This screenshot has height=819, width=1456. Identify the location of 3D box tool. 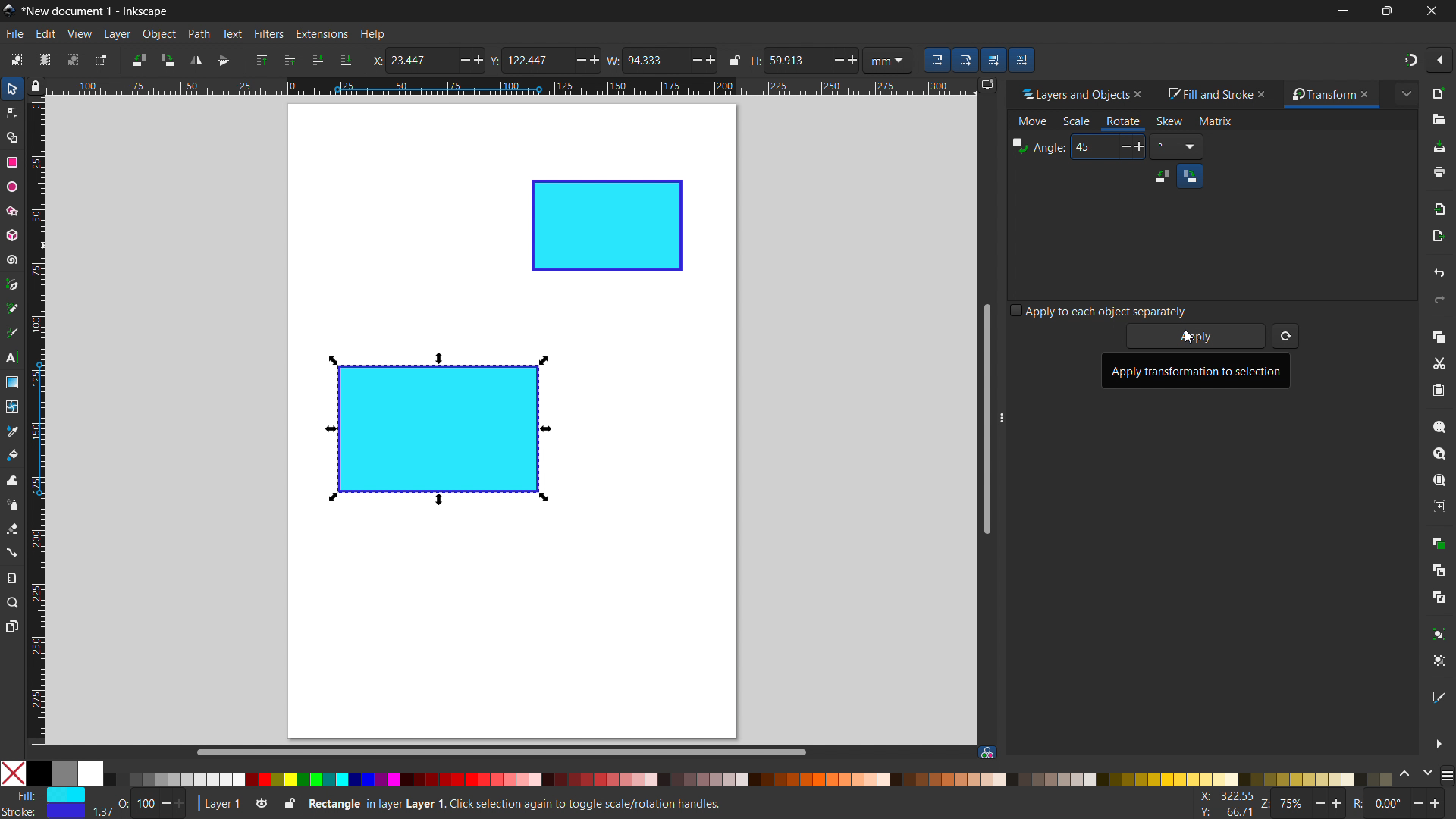
(11, 234).